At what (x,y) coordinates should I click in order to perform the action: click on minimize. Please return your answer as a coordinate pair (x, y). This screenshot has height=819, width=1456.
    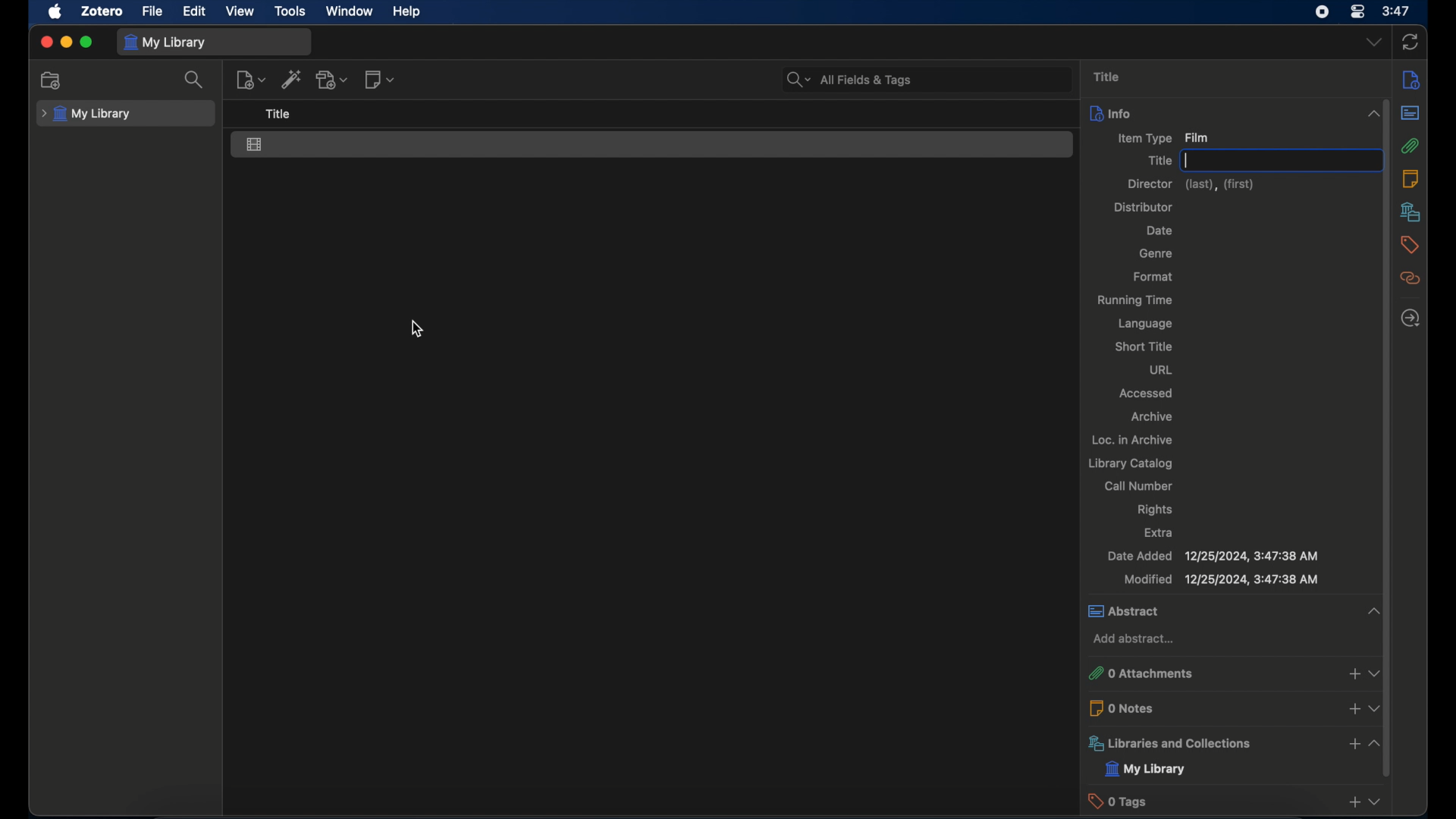
    Looking at the image, I should click on (65, 42).